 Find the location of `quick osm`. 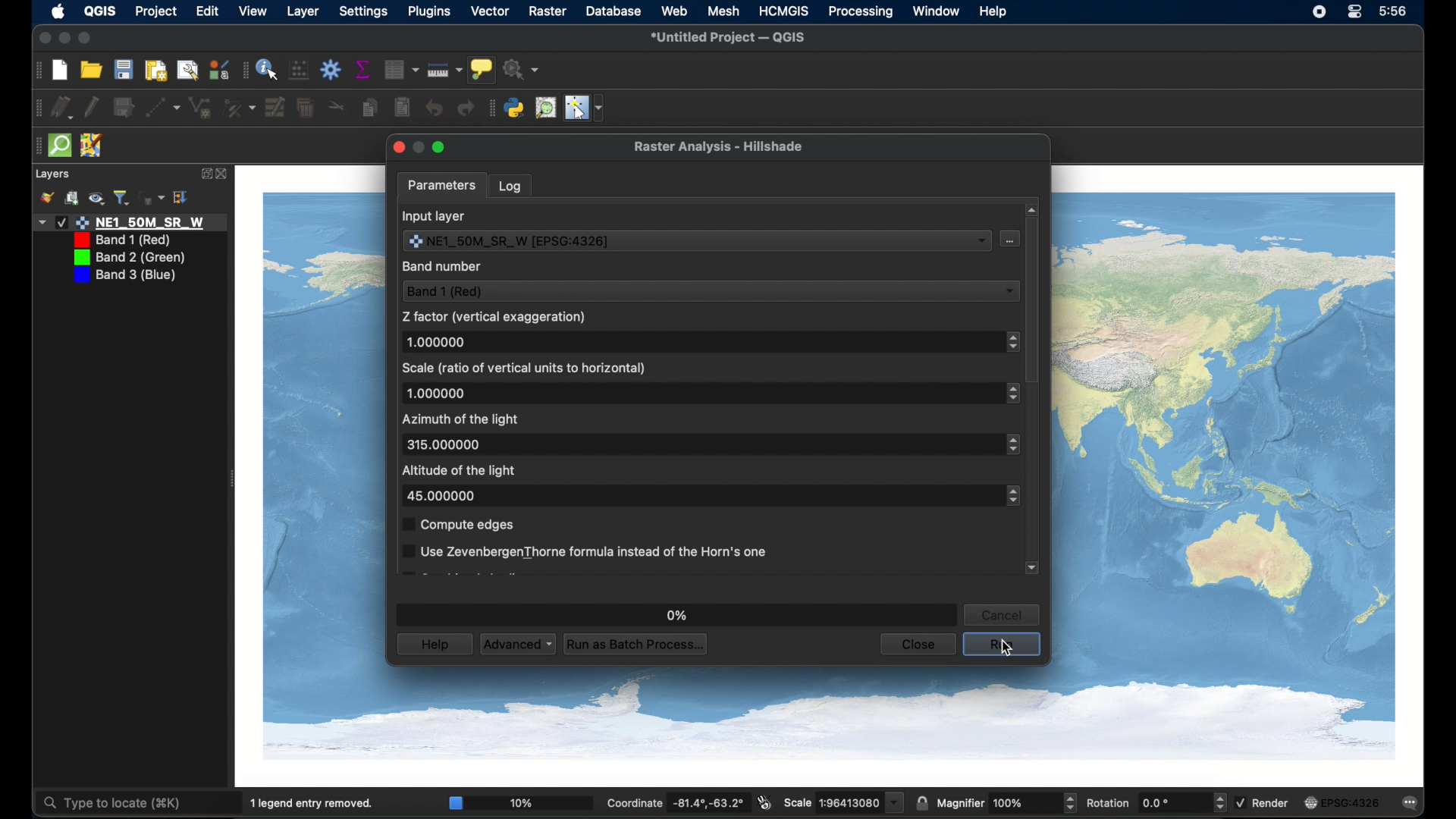

quick osm is located at coordinates (59, 146).